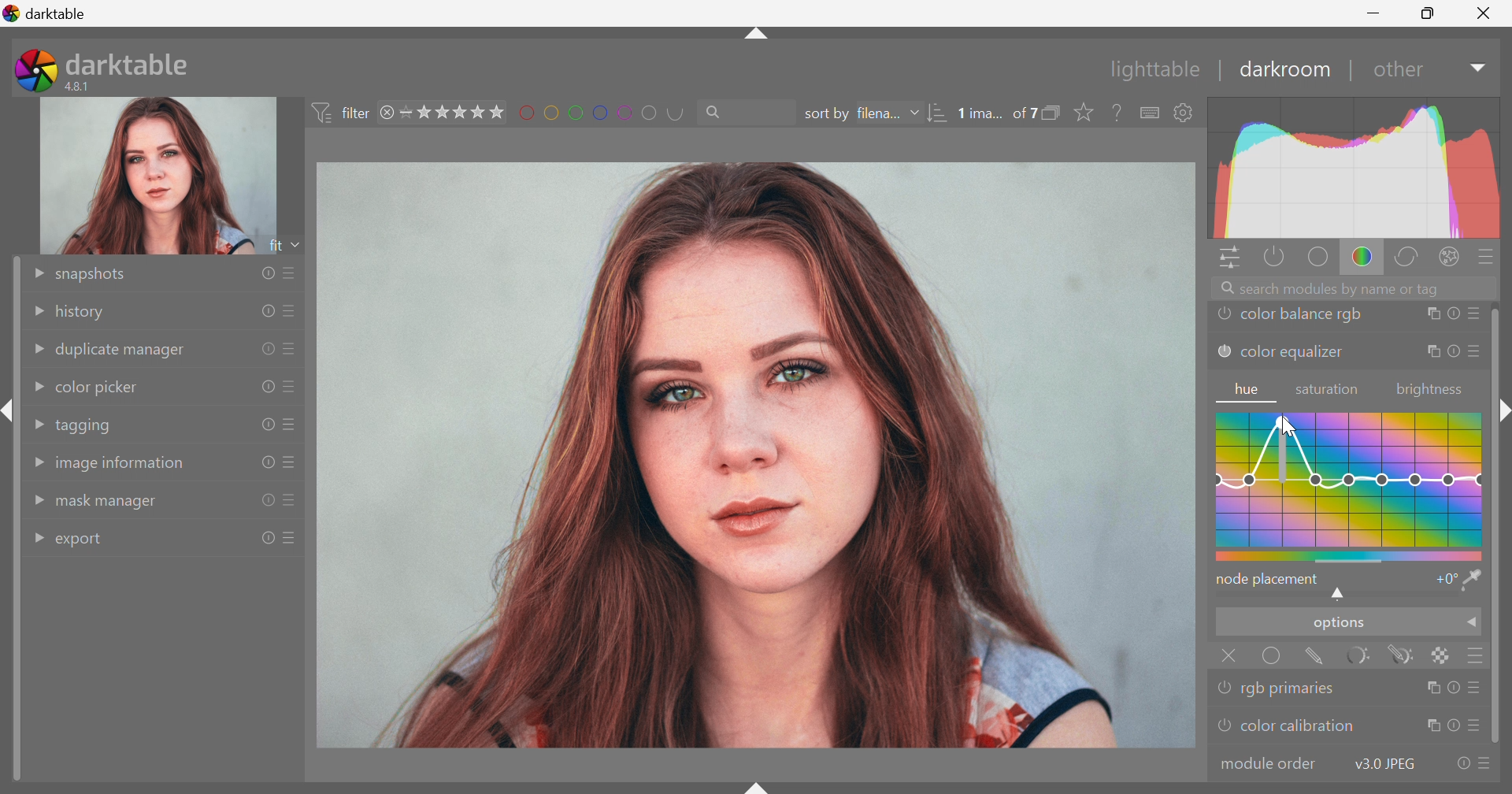  I want to click on Search, so click(720, 113).